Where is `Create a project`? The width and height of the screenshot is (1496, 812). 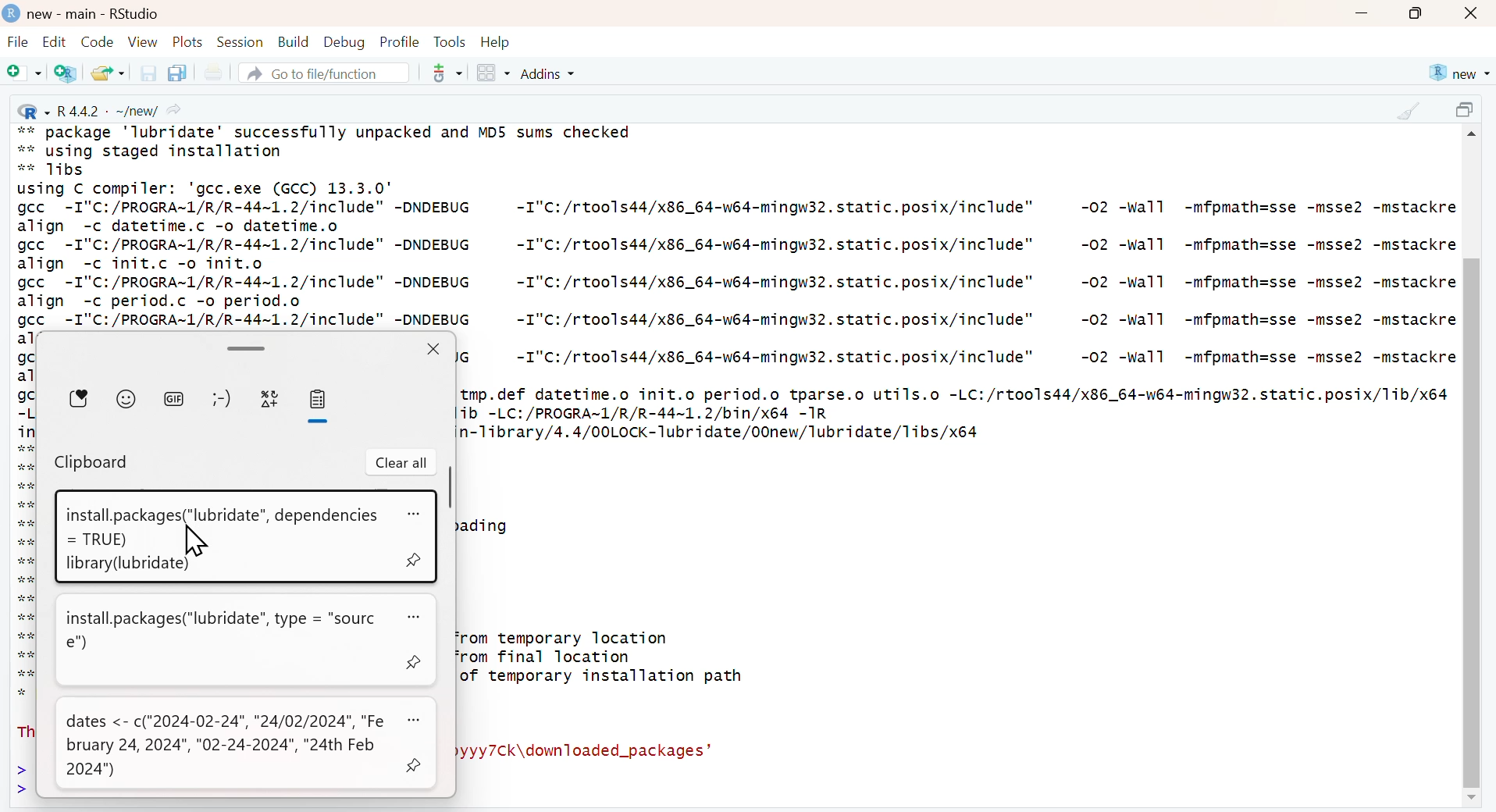
Create a project is located at coordinates (67, 73).